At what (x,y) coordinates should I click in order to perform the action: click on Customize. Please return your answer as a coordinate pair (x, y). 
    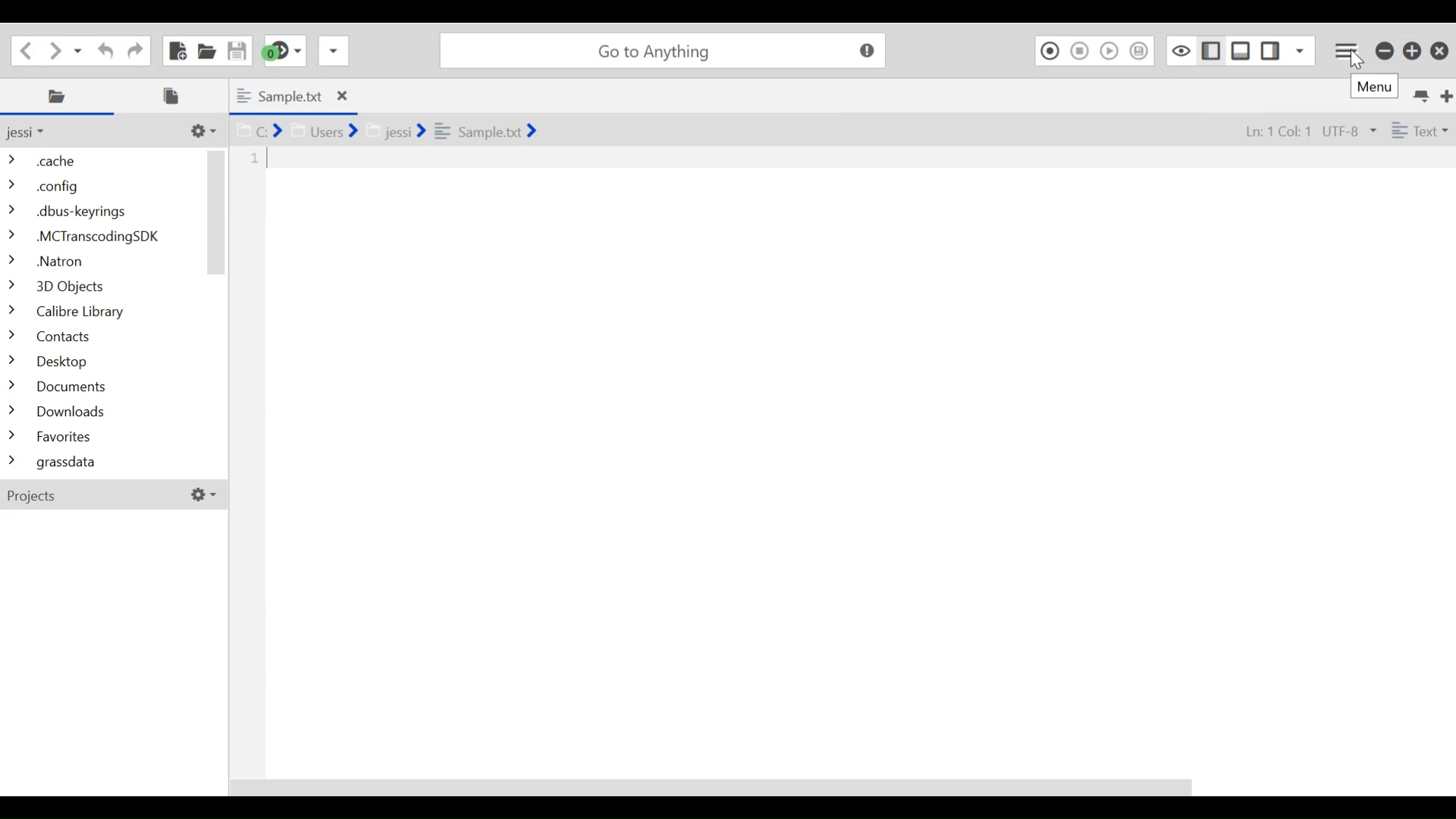
    Looking at the image, I should click on (203, 495).